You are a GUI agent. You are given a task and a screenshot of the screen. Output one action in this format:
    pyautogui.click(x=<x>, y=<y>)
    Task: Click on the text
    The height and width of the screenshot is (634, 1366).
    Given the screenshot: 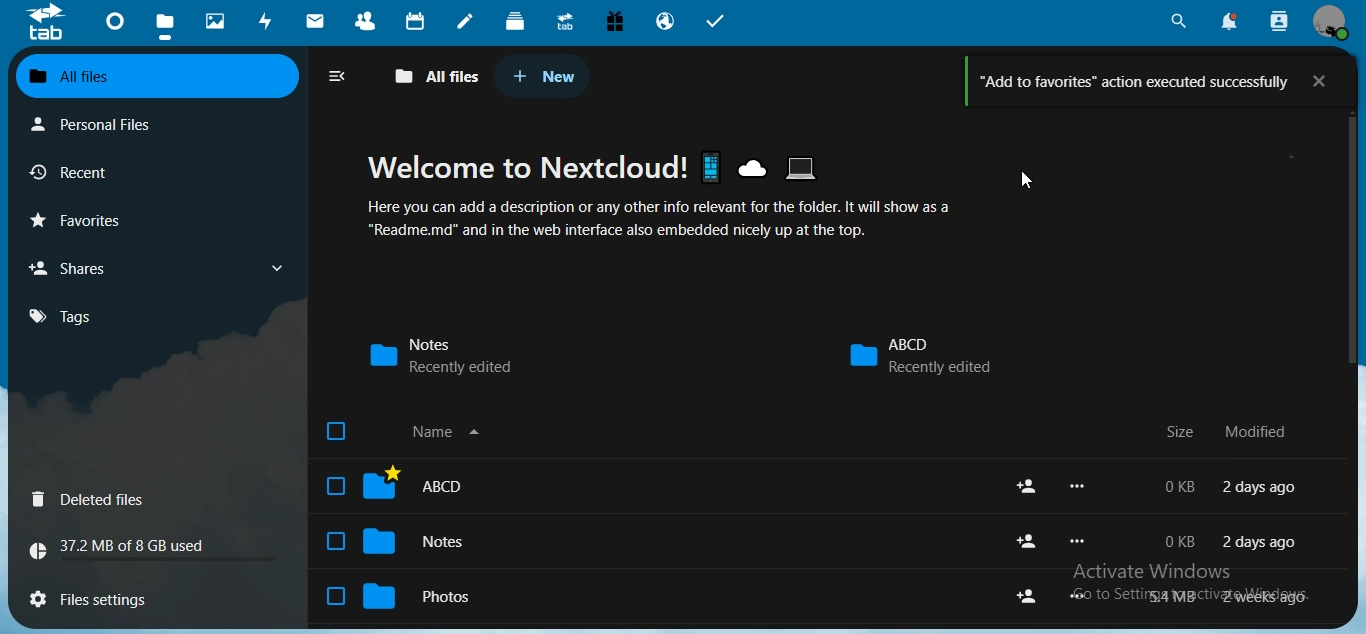 What is the action you would take?
    pyautogui.click(x=1231, y=596)
    